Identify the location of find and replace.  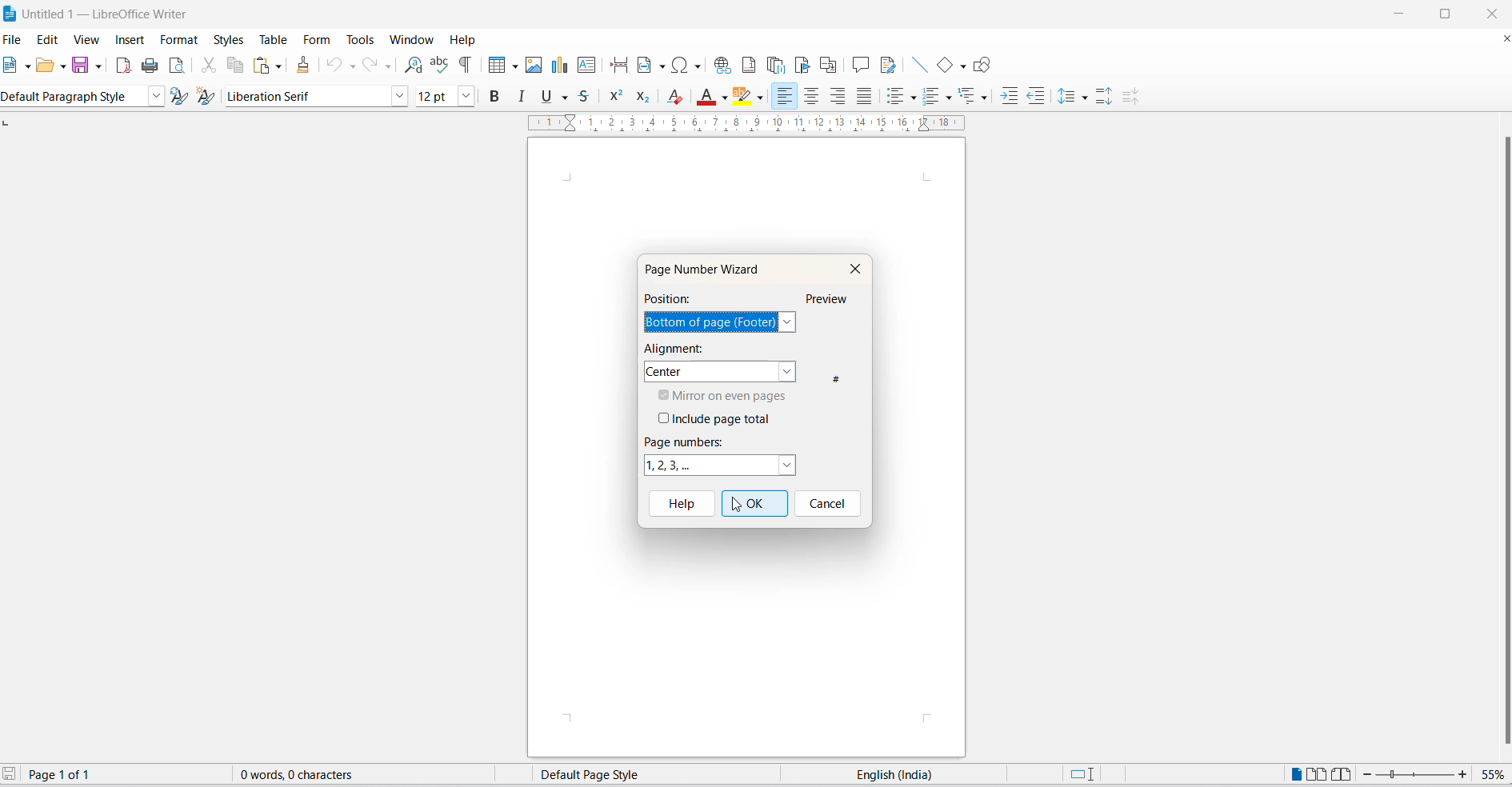
(414, 66).